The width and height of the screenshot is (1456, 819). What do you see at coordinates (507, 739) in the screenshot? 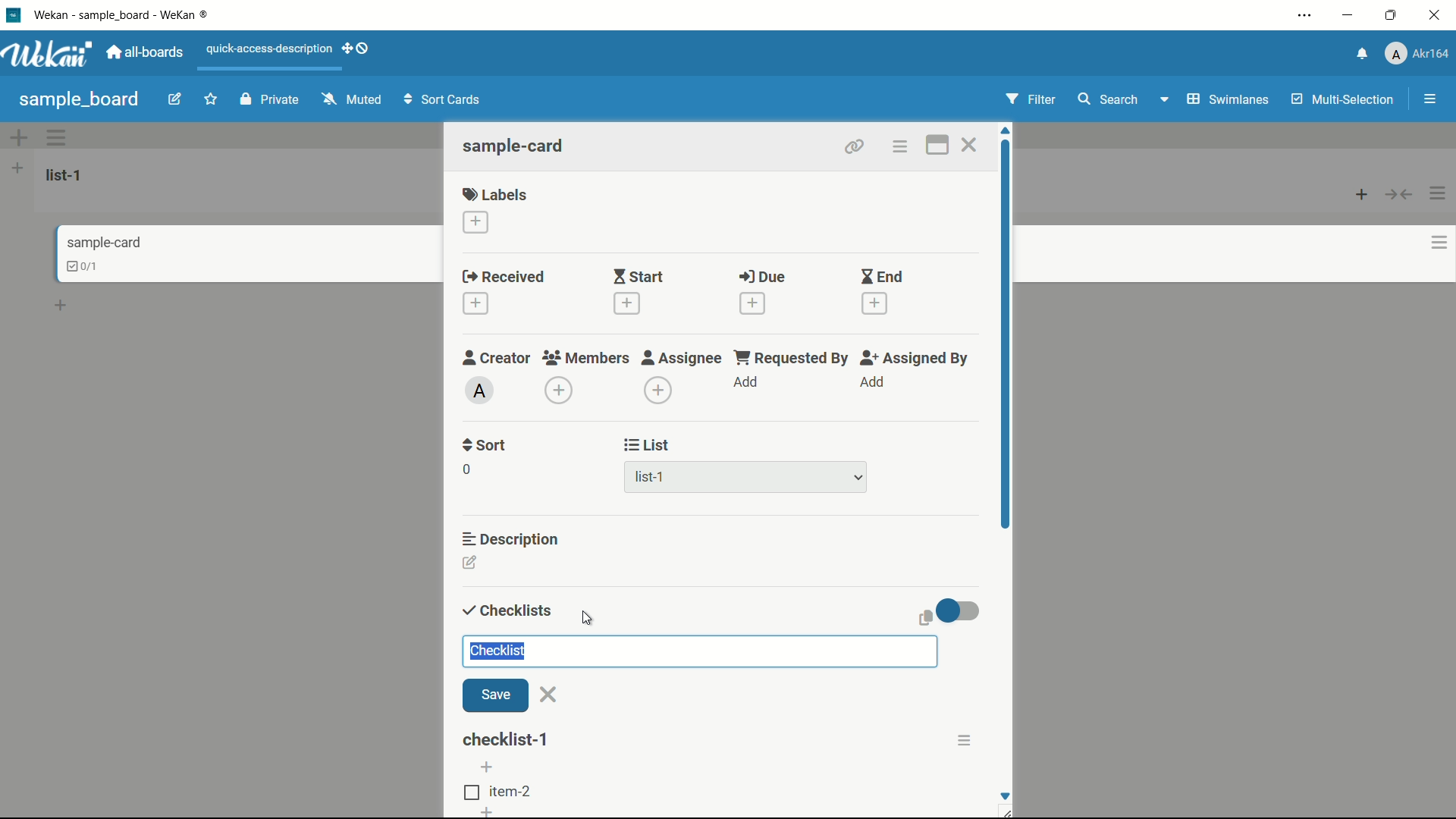
I see `checklist-1` at bounding box center [507, 739].